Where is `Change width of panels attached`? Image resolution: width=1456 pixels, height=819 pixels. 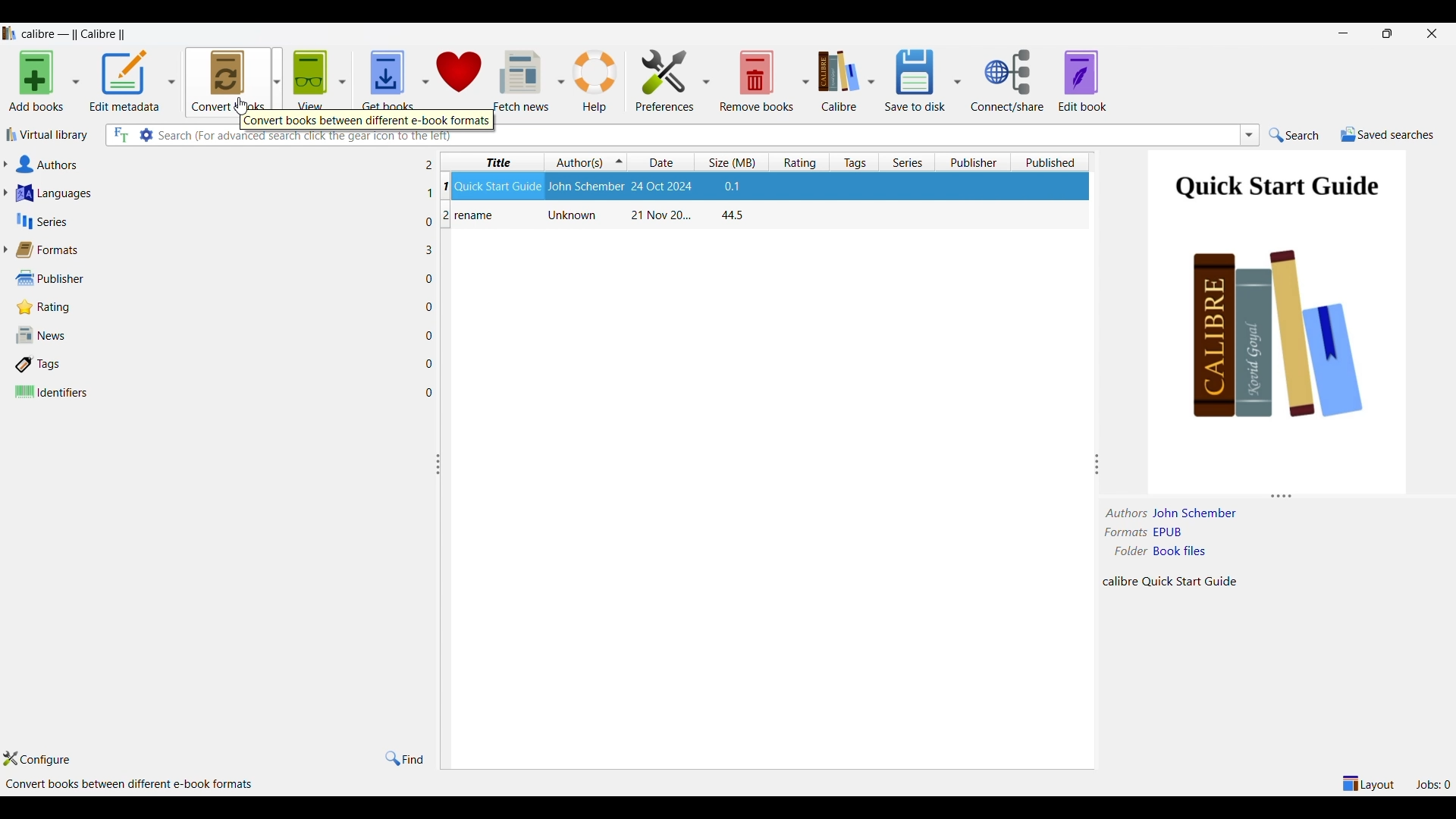
Change width of panels attached is located at coordinates (1090, 441).